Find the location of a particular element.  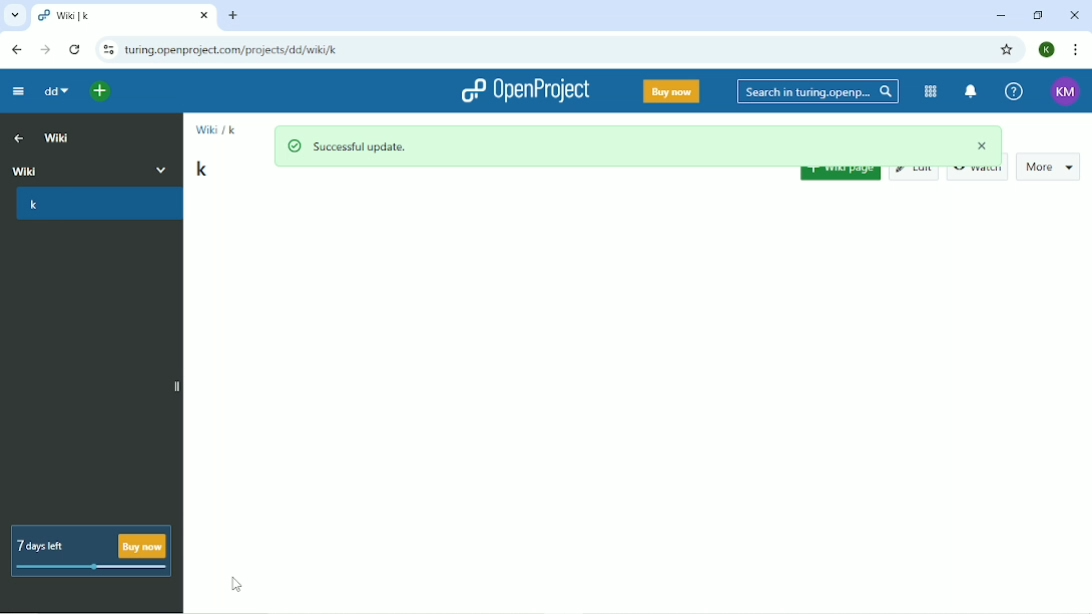

Wiki | k is located at coordinates (95, 15).